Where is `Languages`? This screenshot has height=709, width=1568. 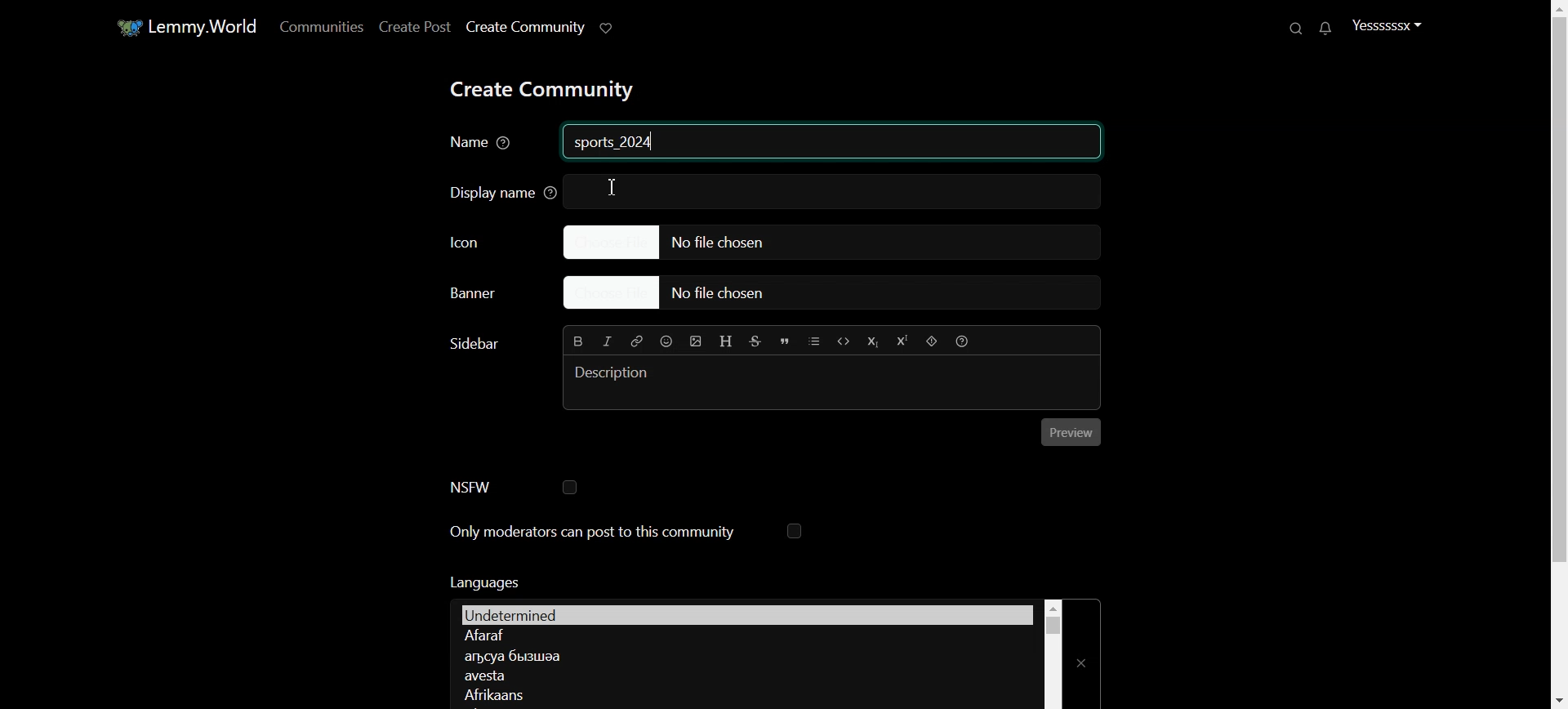
Languages is located at coordinates (746, 613).